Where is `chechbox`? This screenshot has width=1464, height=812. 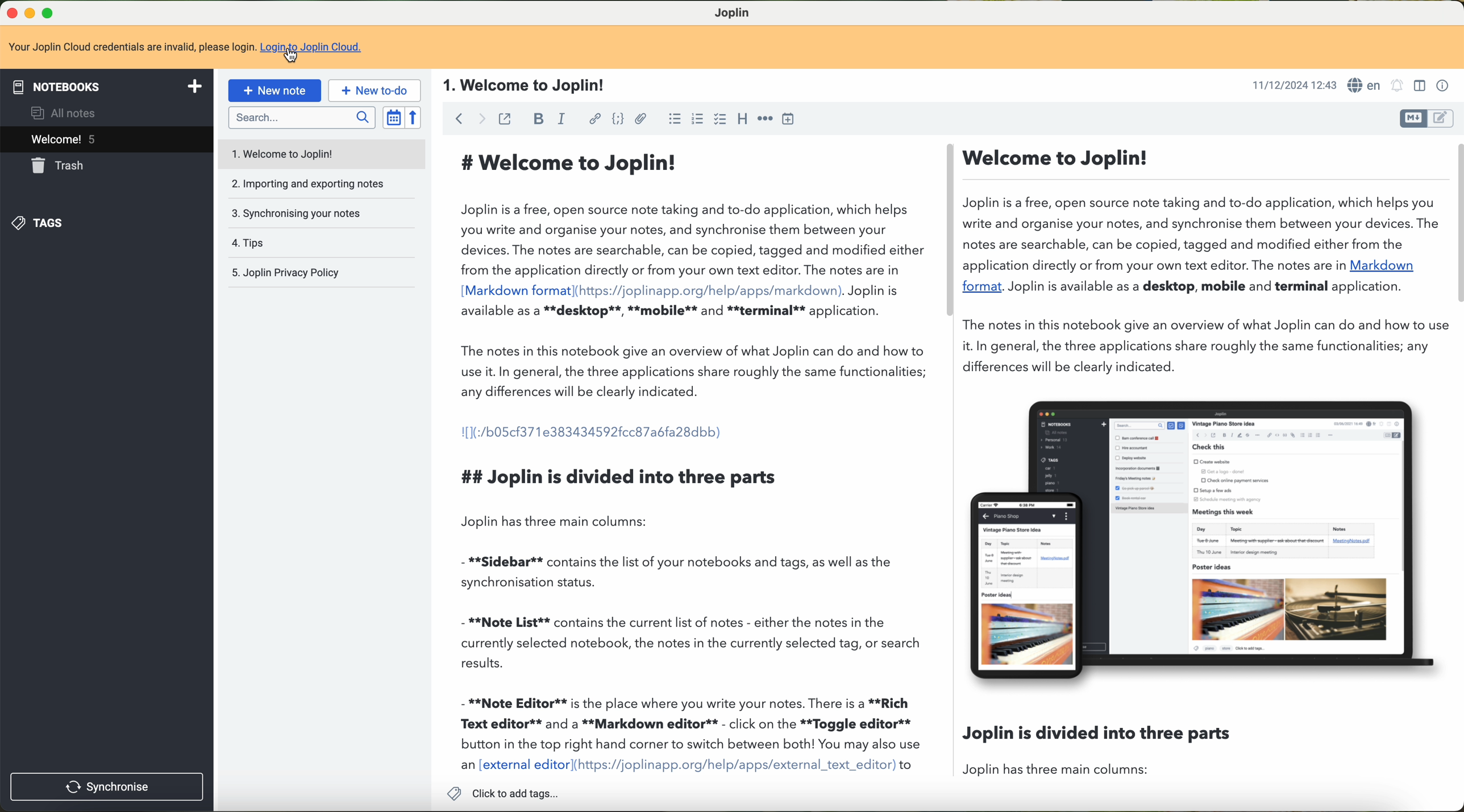 chechbox is located at coordinates (719, 120).